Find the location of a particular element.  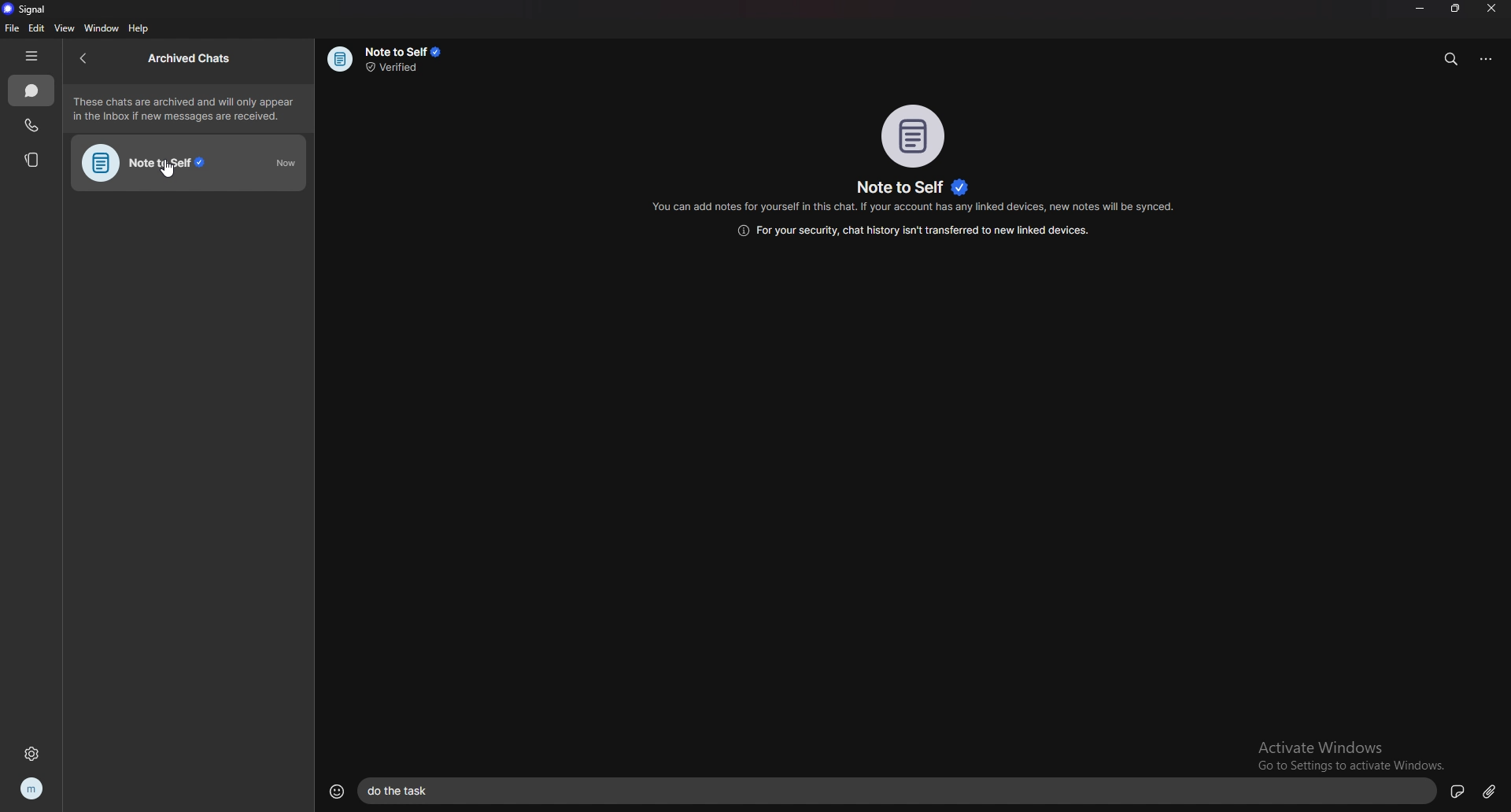

search messages is located at coordinates (1454, 57).